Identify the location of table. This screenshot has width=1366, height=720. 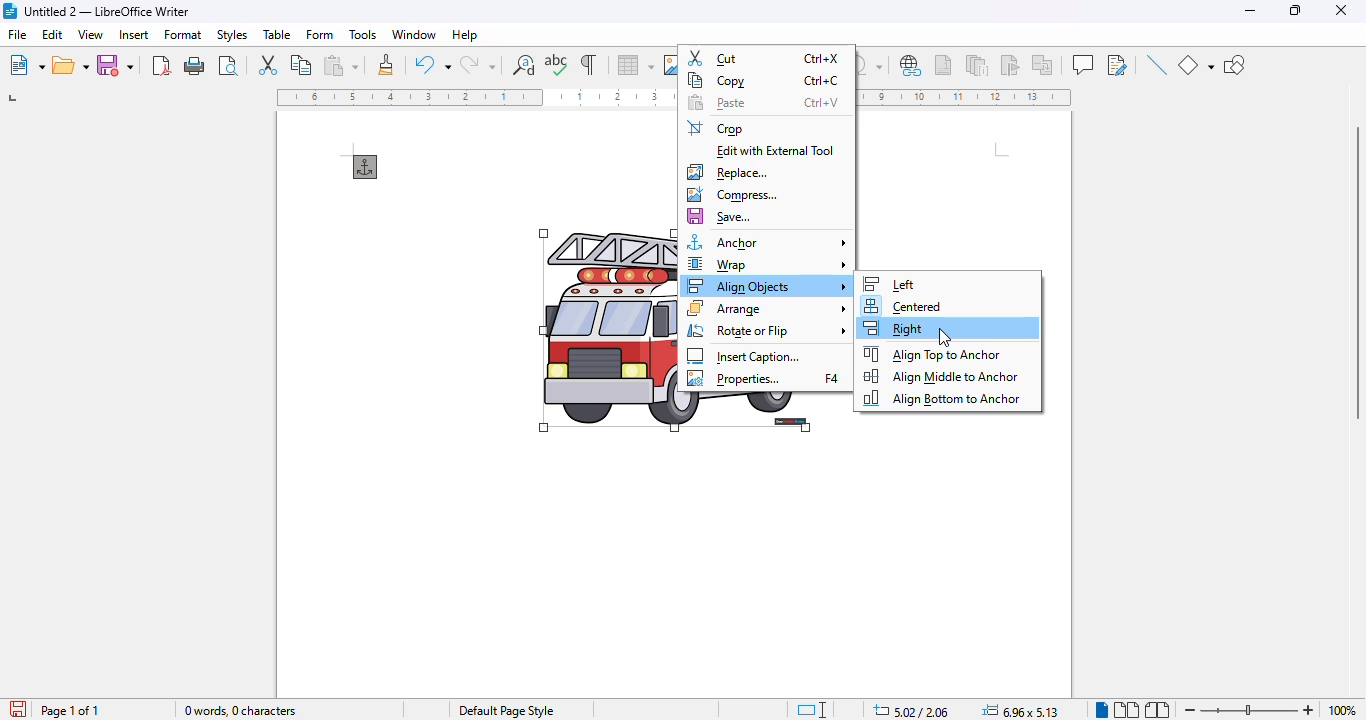
(277, 34).